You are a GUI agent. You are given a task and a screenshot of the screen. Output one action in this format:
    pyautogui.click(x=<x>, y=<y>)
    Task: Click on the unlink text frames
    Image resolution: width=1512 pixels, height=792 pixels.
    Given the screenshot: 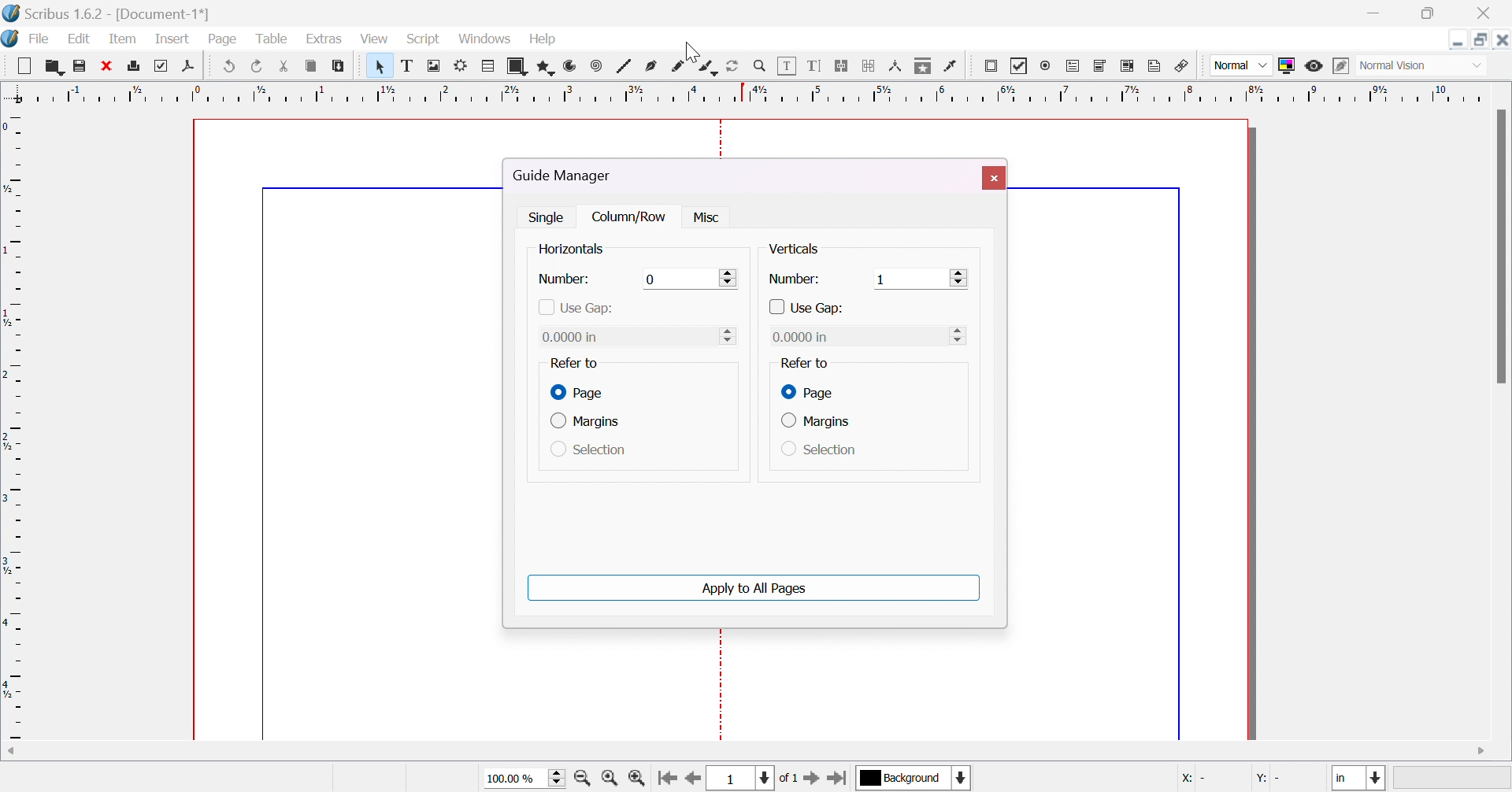 What is the action you would take?
    pyautogui.click(x=869, y=66)
    